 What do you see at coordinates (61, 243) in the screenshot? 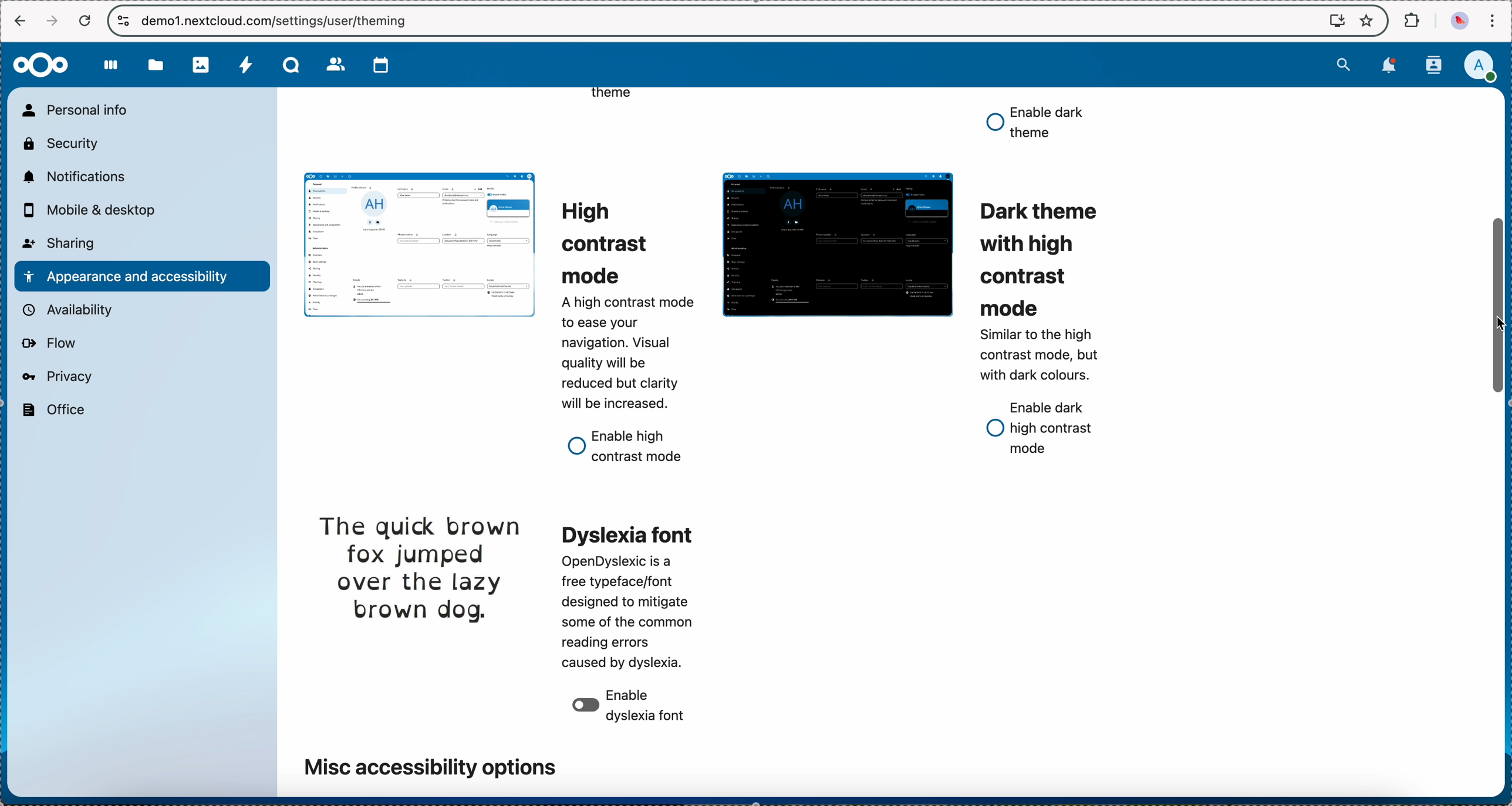
I see `sharing` at bounding box center [61, 243].